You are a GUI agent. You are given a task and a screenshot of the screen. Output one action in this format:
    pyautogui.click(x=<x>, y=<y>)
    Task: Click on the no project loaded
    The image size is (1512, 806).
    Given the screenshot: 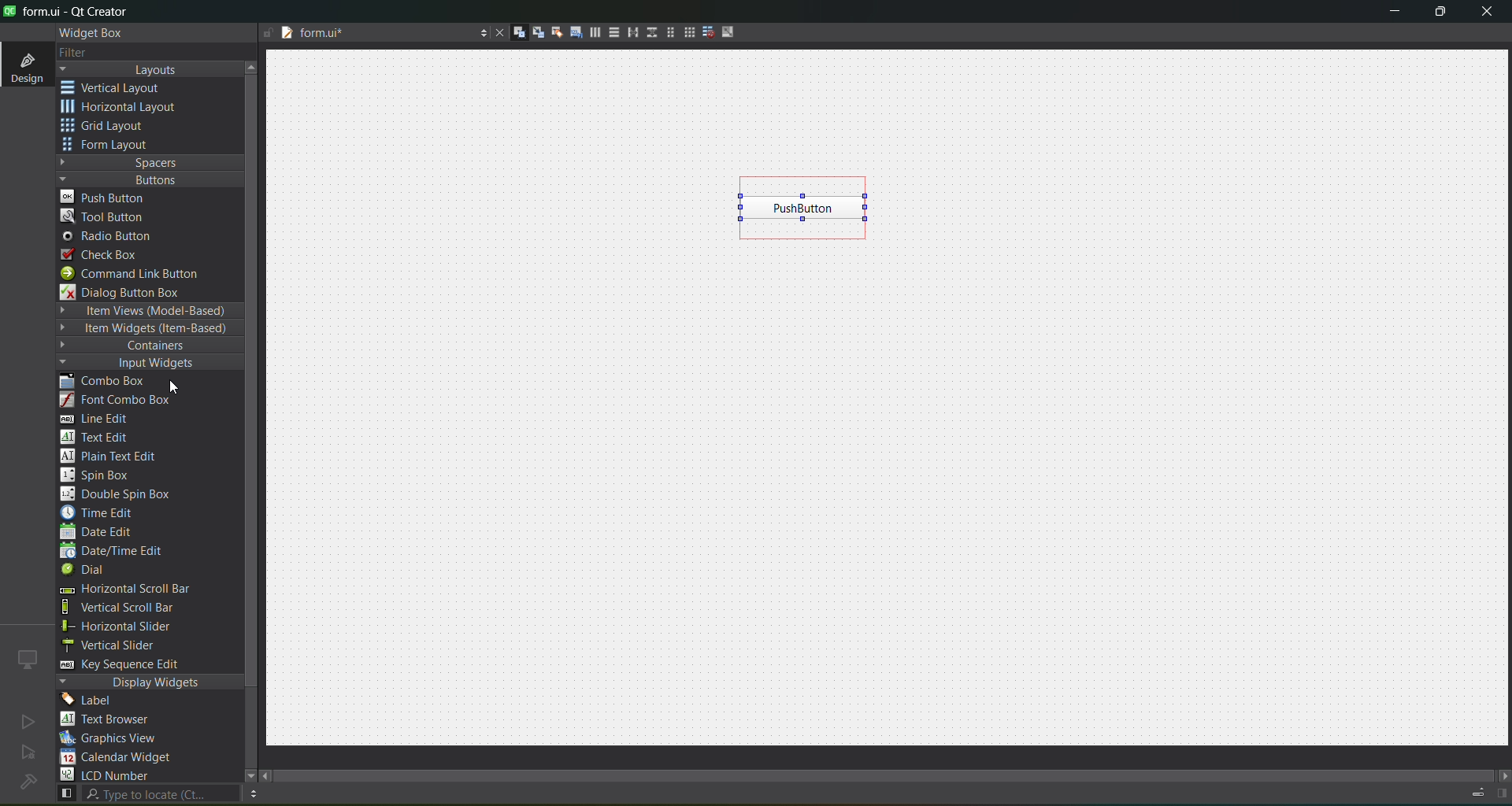 What is the action you would take?
    pyautogui.click(x=28, y=782)
    